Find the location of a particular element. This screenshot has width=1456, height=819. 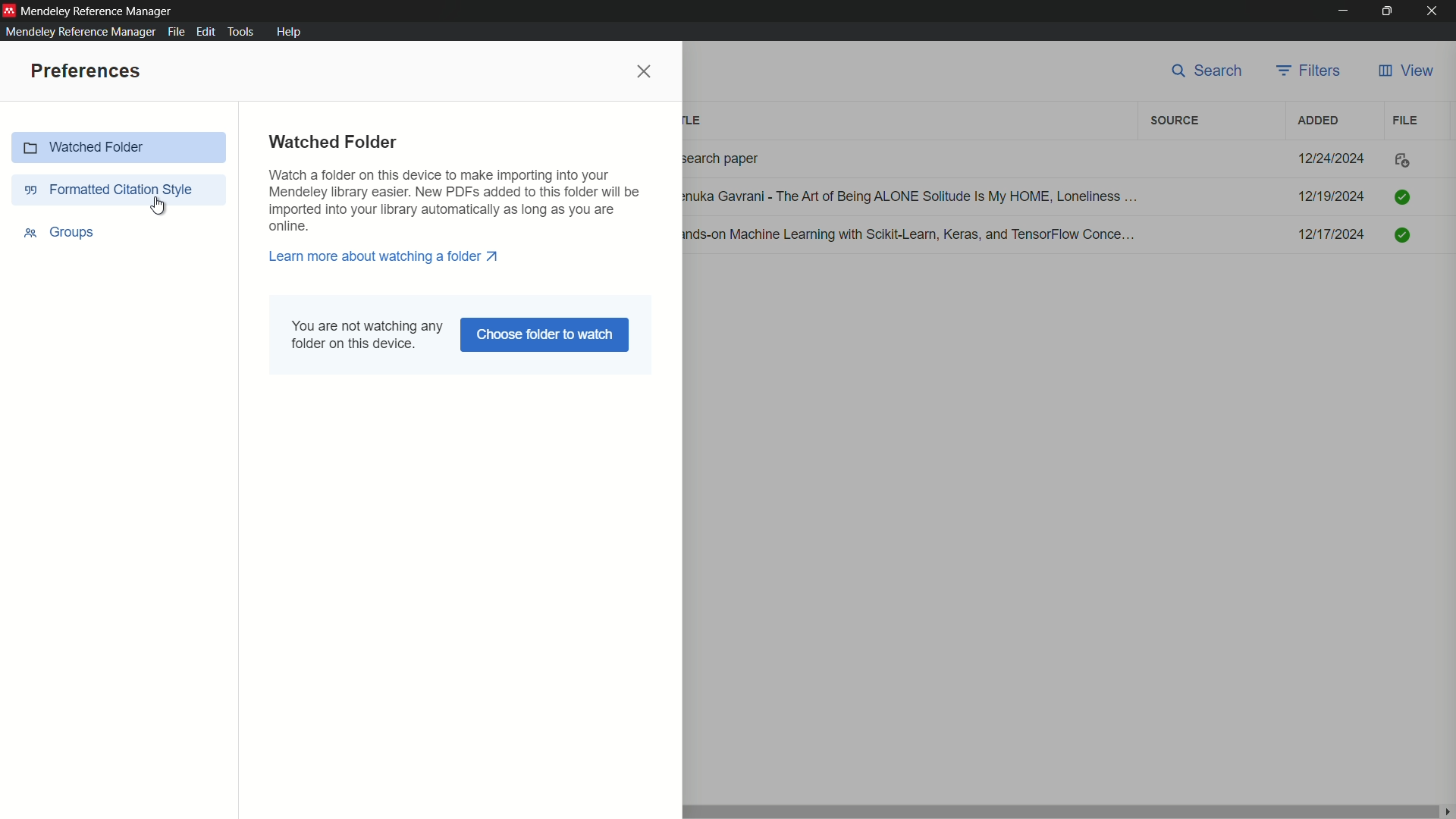

file menu is located at coordinates (174, 32).